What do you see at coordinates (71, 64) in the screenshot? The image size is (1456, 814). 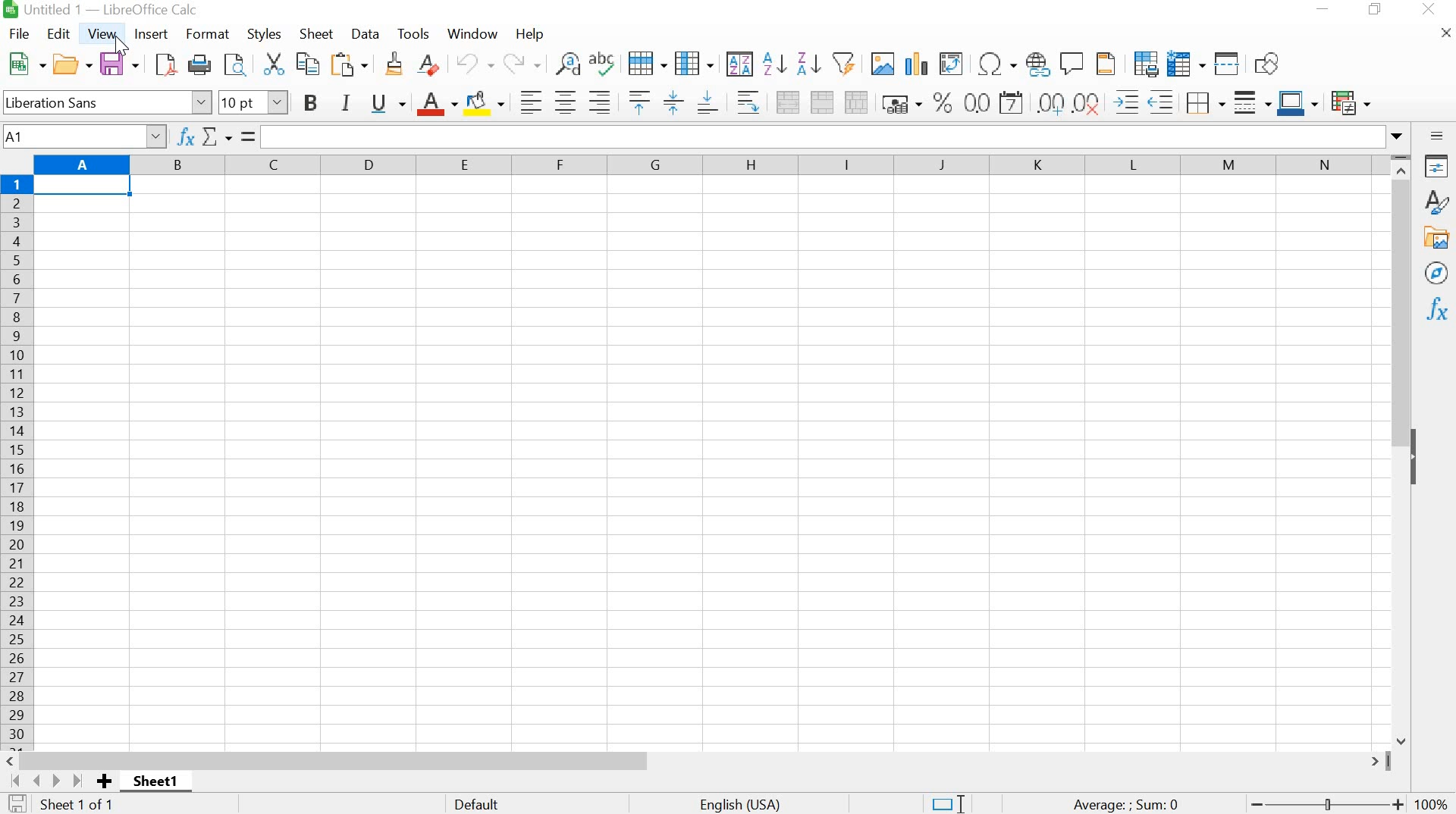 I see `OPEN` at bounding box center [71, 64].